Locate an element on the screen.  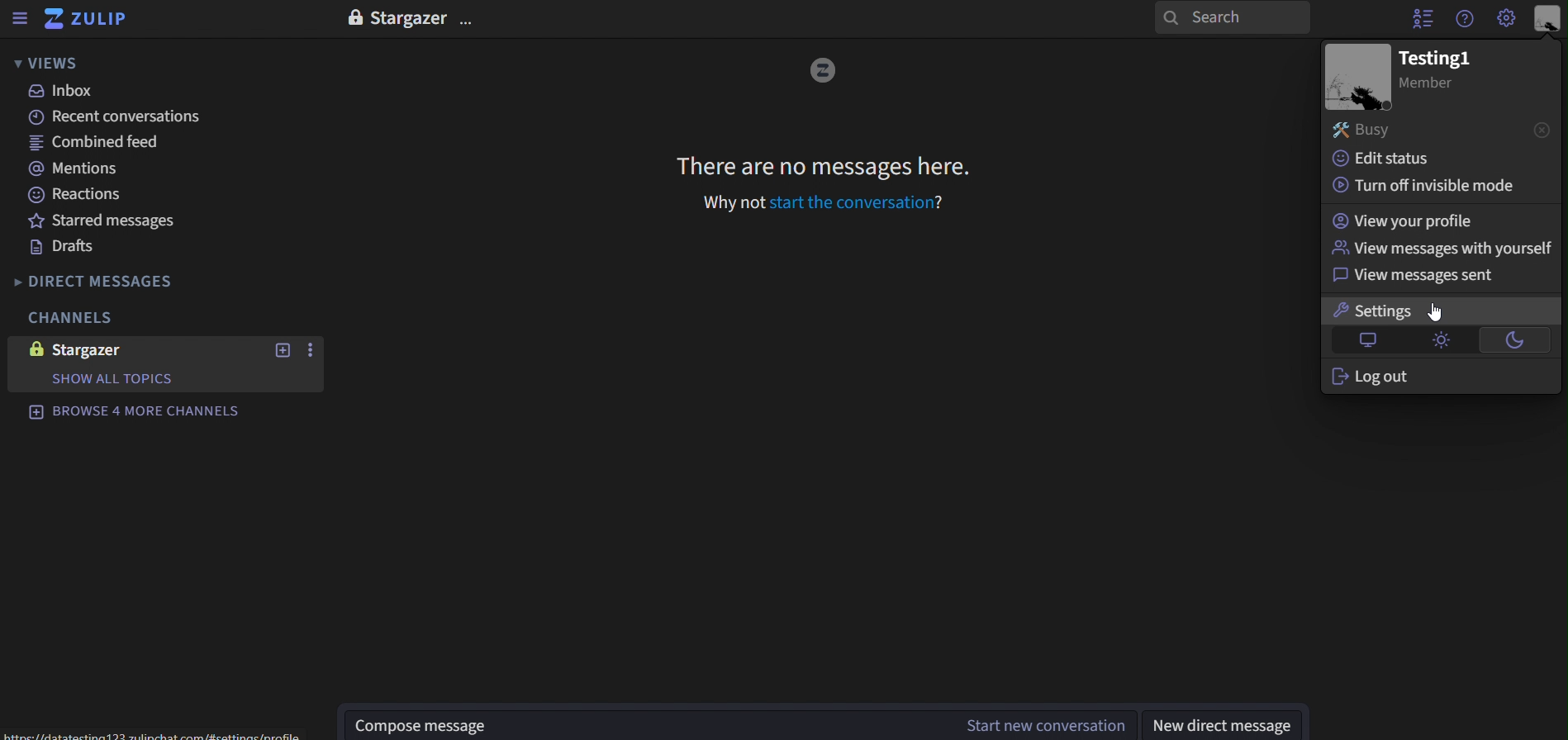
start new conversation is located at coordinates (311, 349).